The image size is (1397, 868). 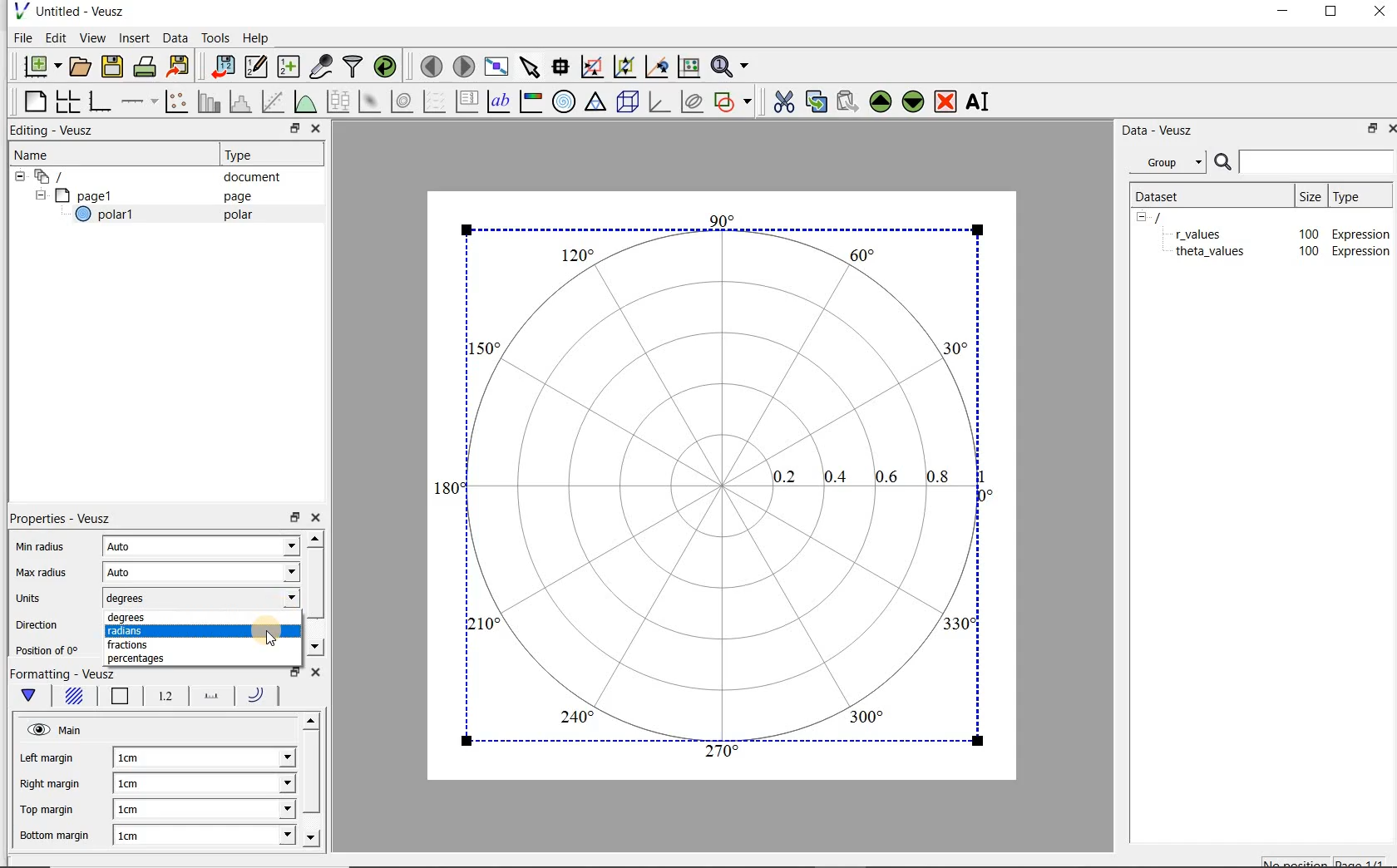 I want to click on 1cm, so click(x=135, y=785).